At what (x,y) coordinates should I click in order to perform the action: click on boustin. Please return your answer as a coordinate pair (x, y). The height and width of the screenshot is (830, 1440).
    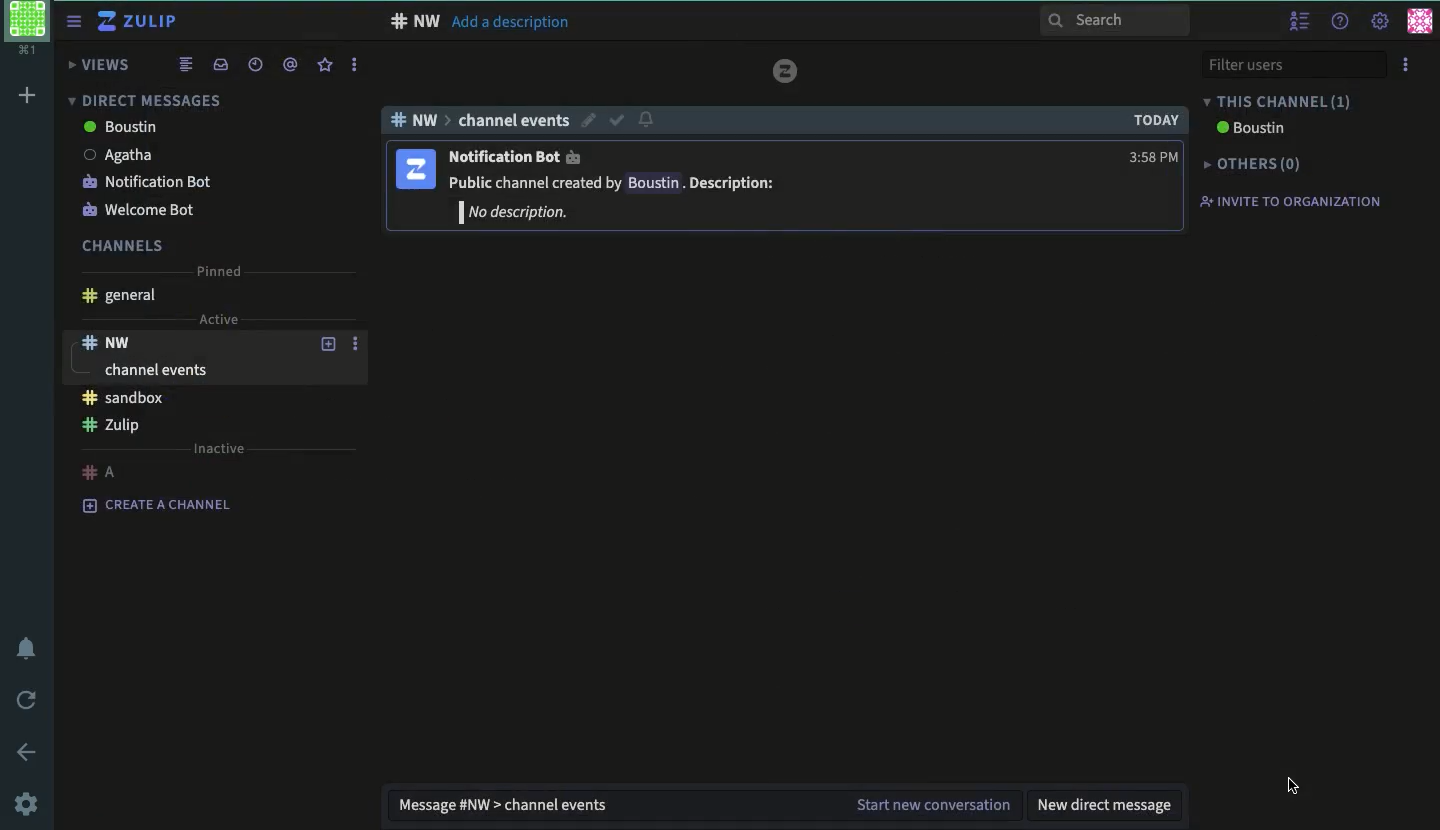
    Looking at the image, I should click on (1255, 126).